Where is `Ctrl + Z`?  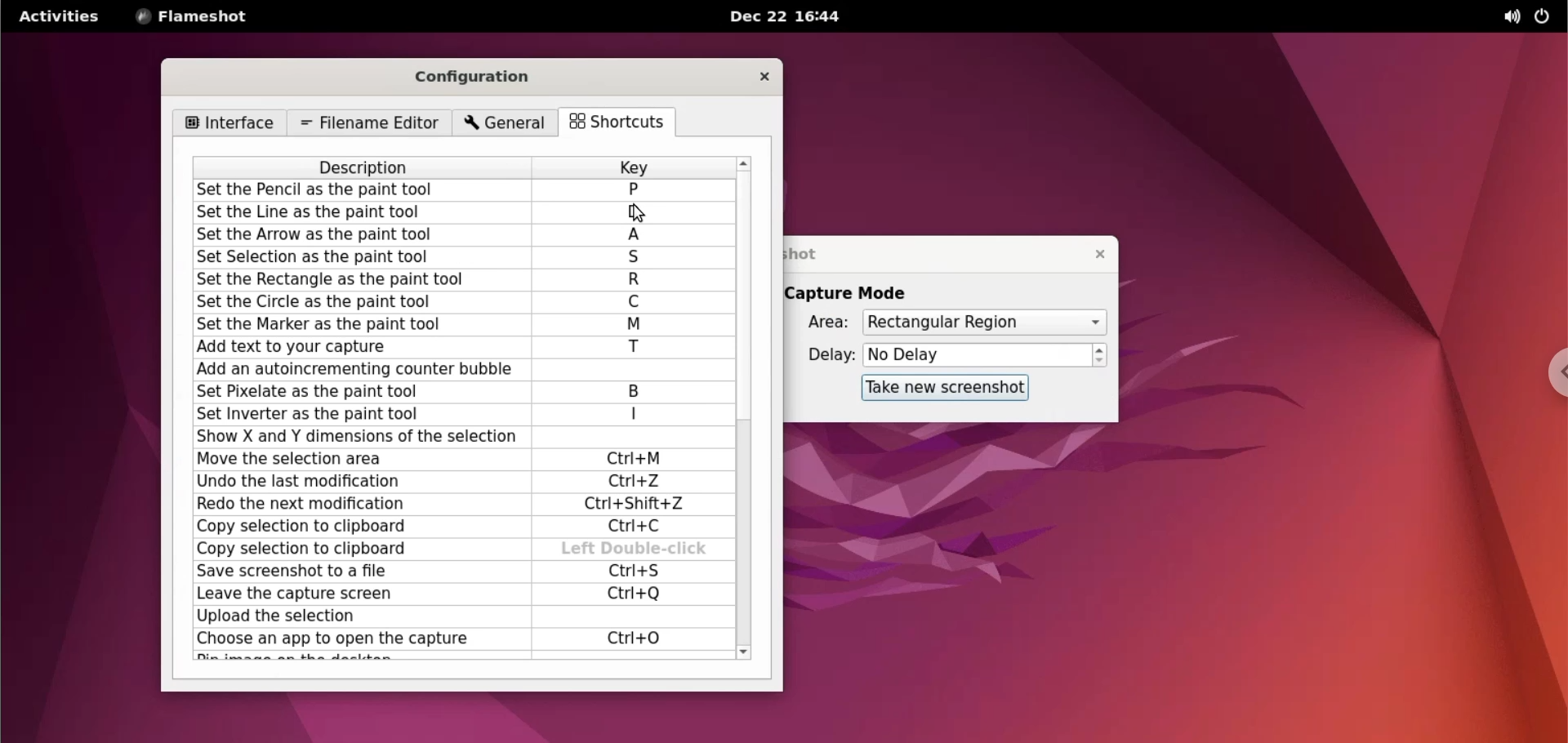 Ctrl + Z is located at coordinates (635, 482).